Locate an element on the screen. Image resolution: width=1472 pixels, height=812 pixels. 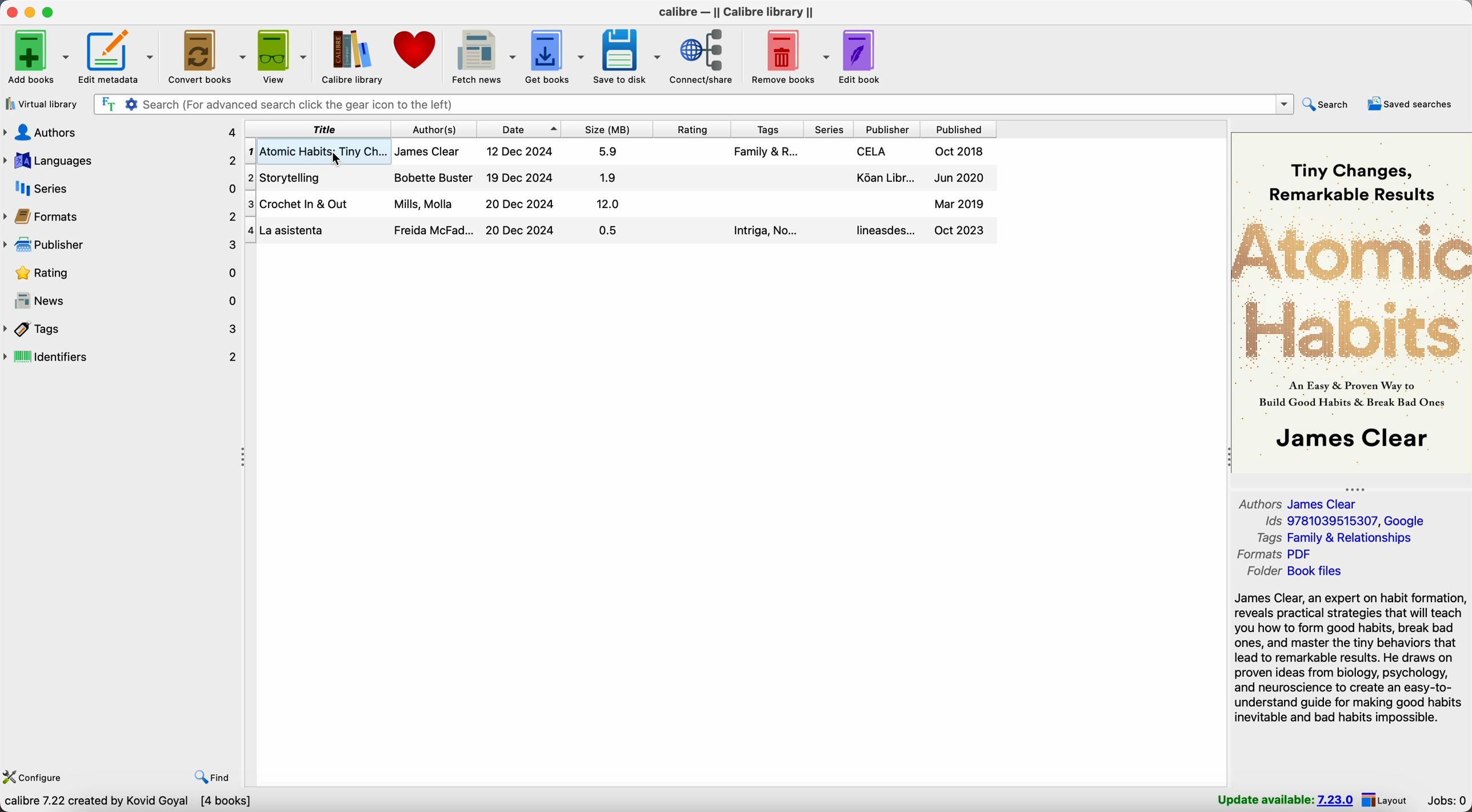
news is located at coordinates (122, 301).